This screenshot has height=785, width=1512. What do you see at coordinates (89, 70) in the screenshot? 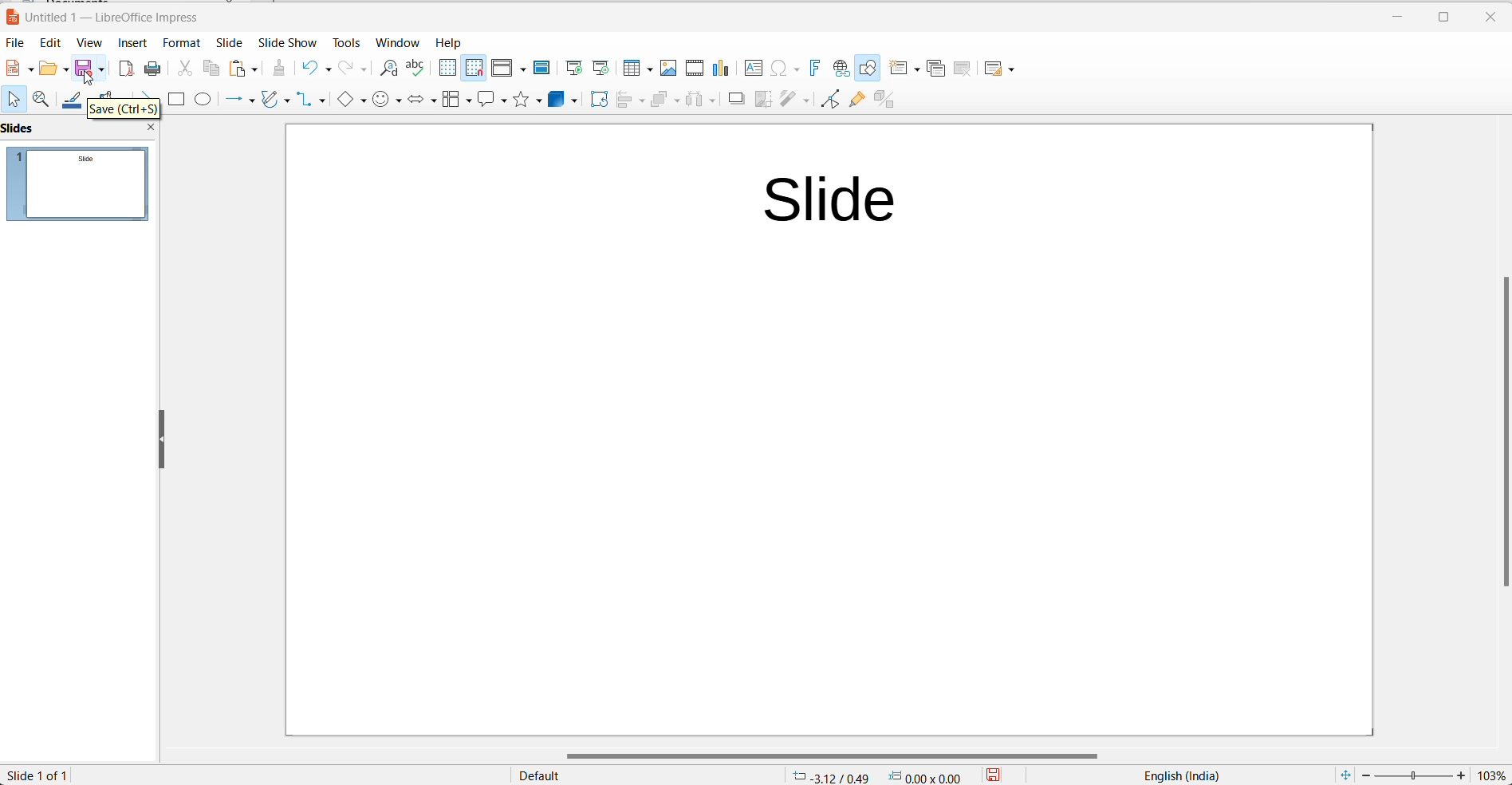
I see `save` at bounding box center [89, 70].